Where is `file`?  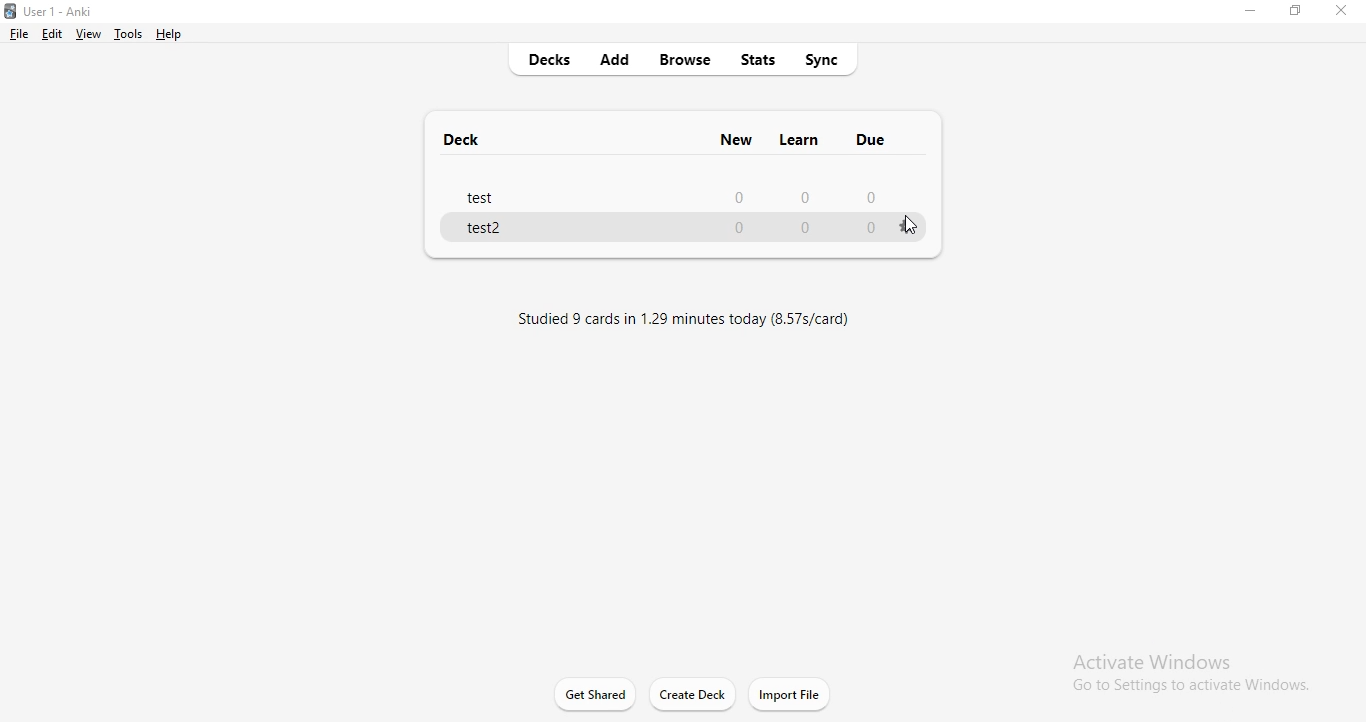 file is located at coordinates (21, 34).